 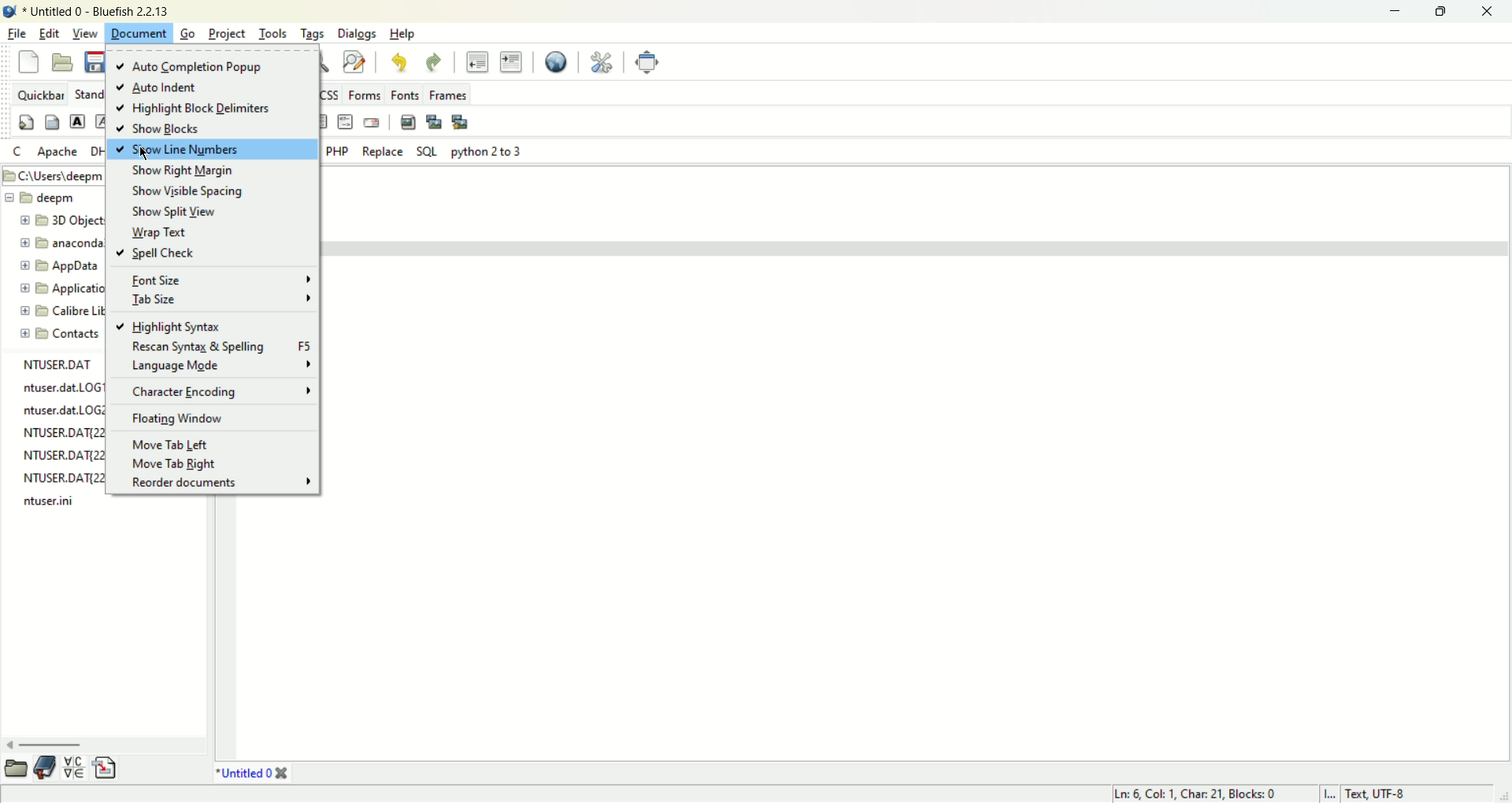 I want to click on title, so click(x=248, y=772).